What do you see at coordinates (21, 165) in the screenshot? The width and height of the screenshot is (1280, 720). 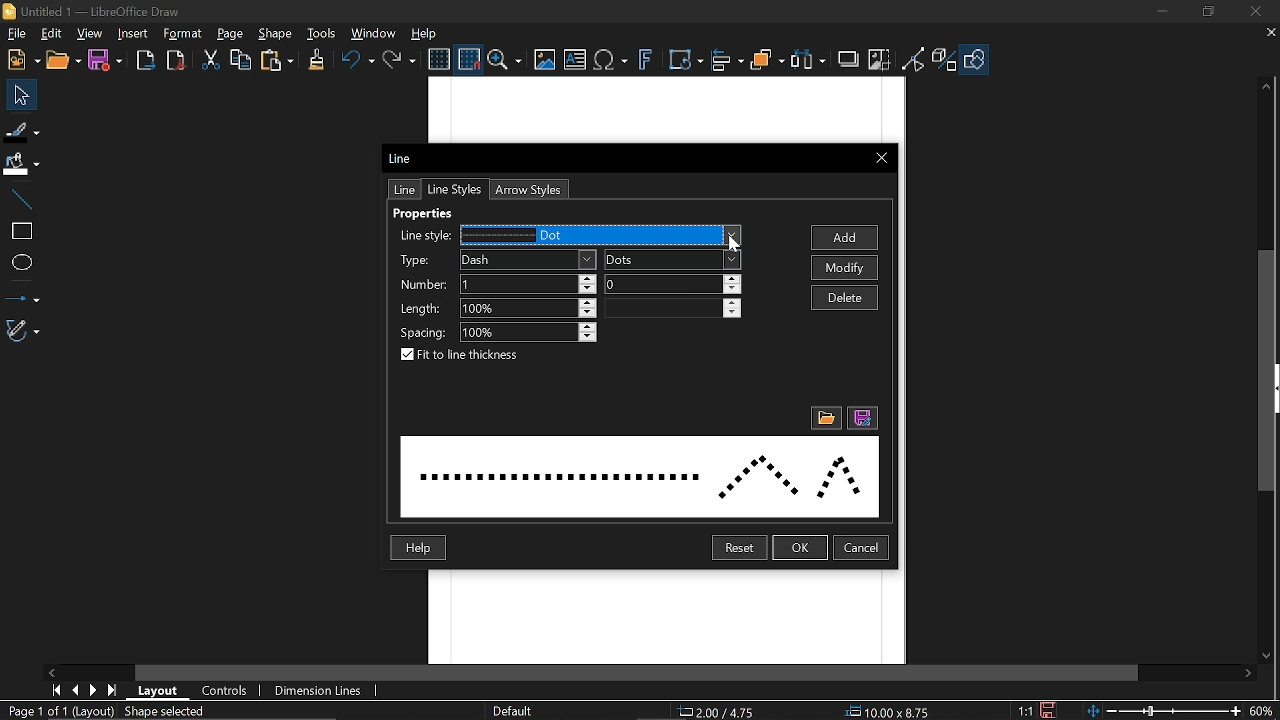 I see `Fill color` at bounding box center [21, 165].